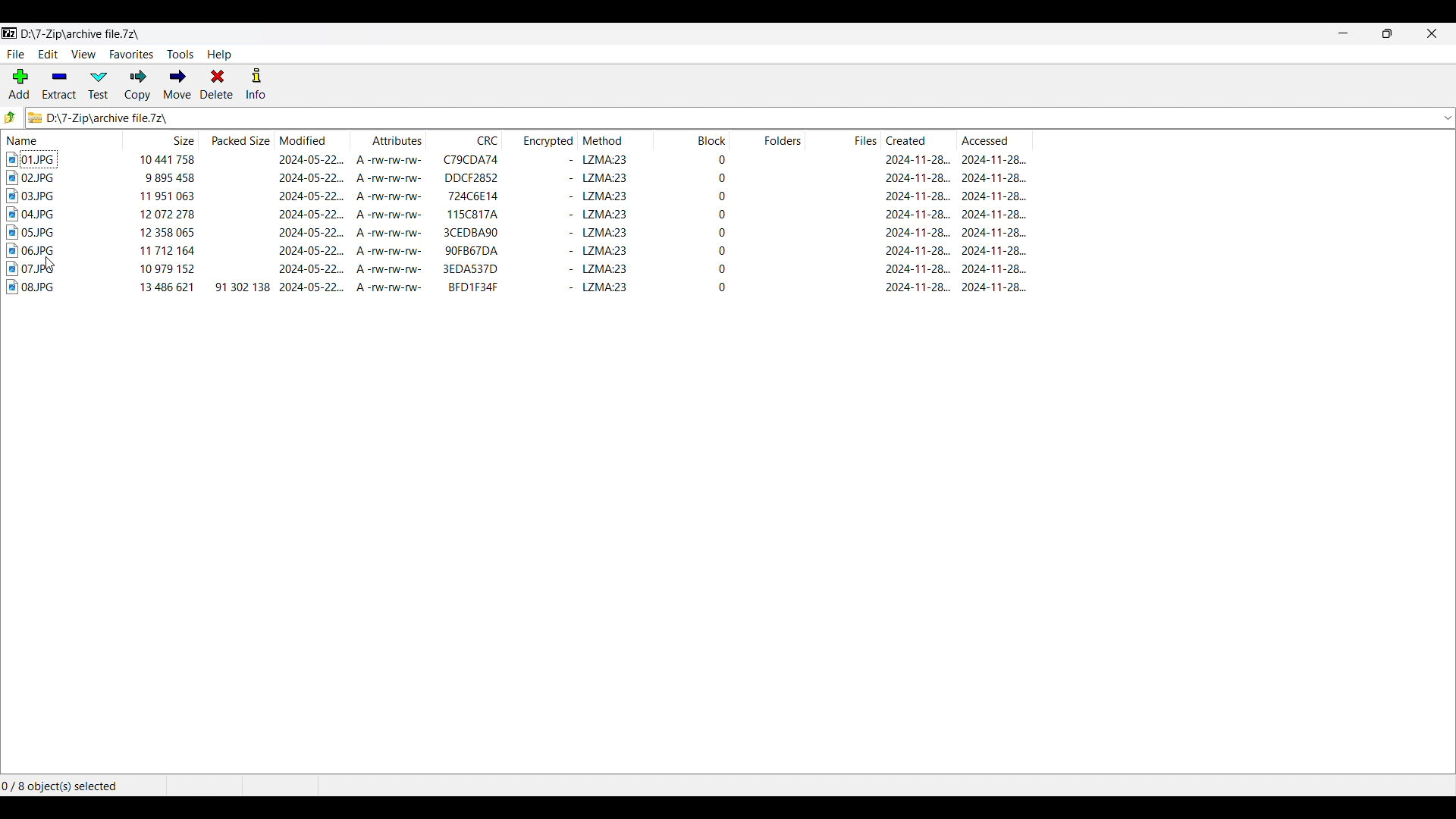  Describe the element at coordinates (918, 196) in the screenshot. I see `created date & time` at that location.